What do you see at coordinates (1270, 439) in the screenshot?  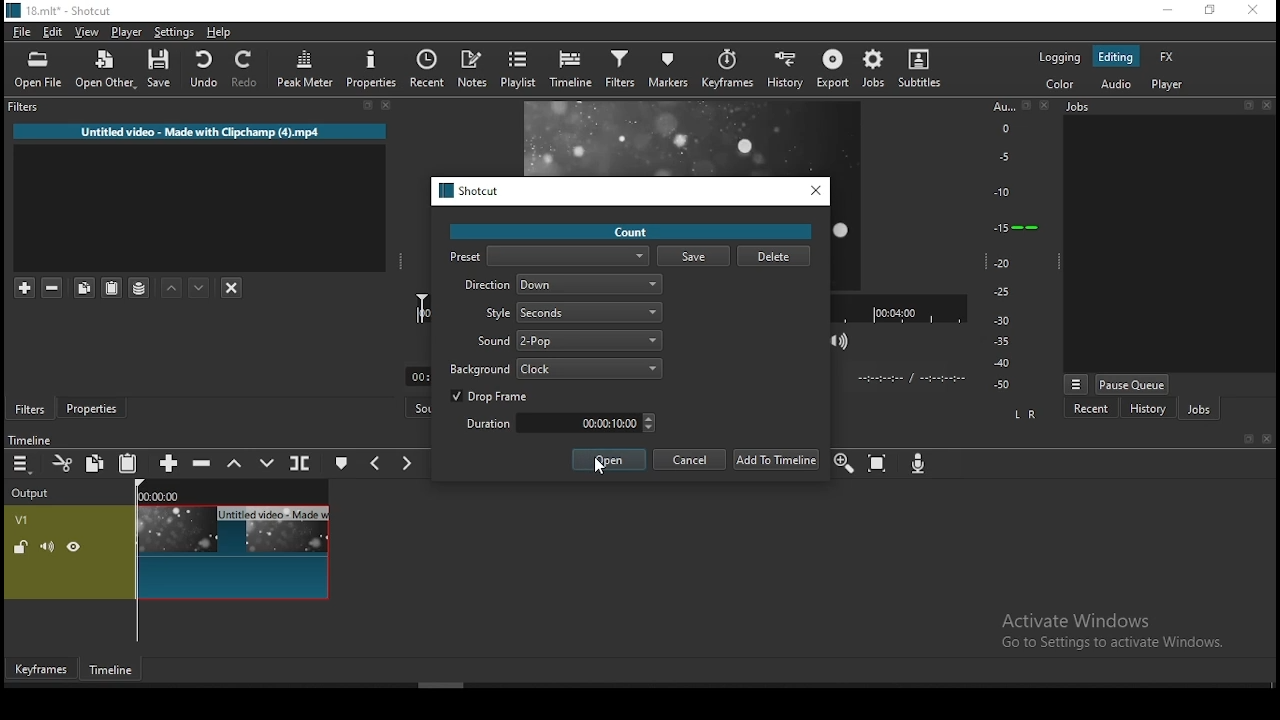 I see `Close` at bounding box center [1270, 439].